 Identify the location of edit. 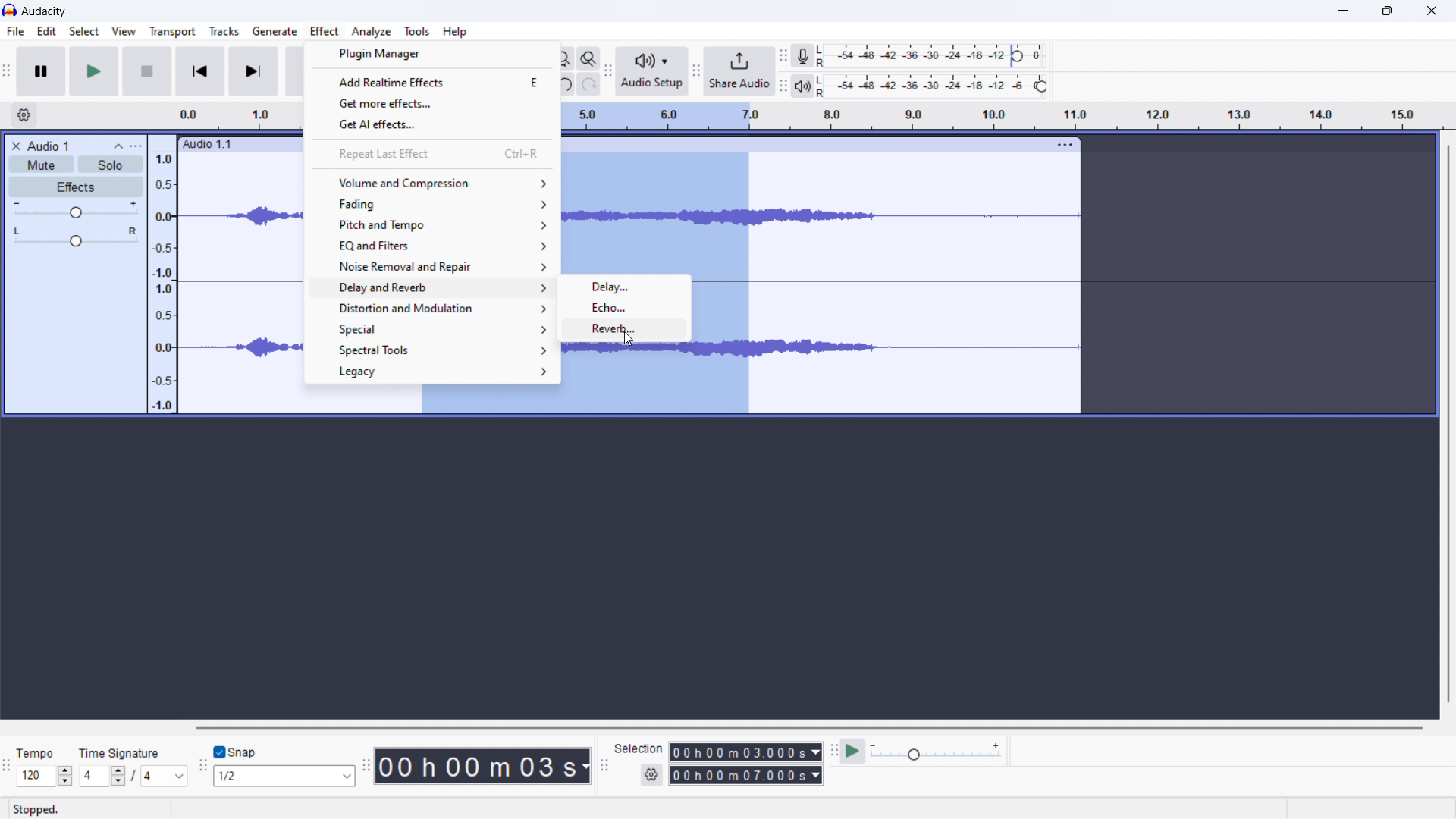
(47, 30).